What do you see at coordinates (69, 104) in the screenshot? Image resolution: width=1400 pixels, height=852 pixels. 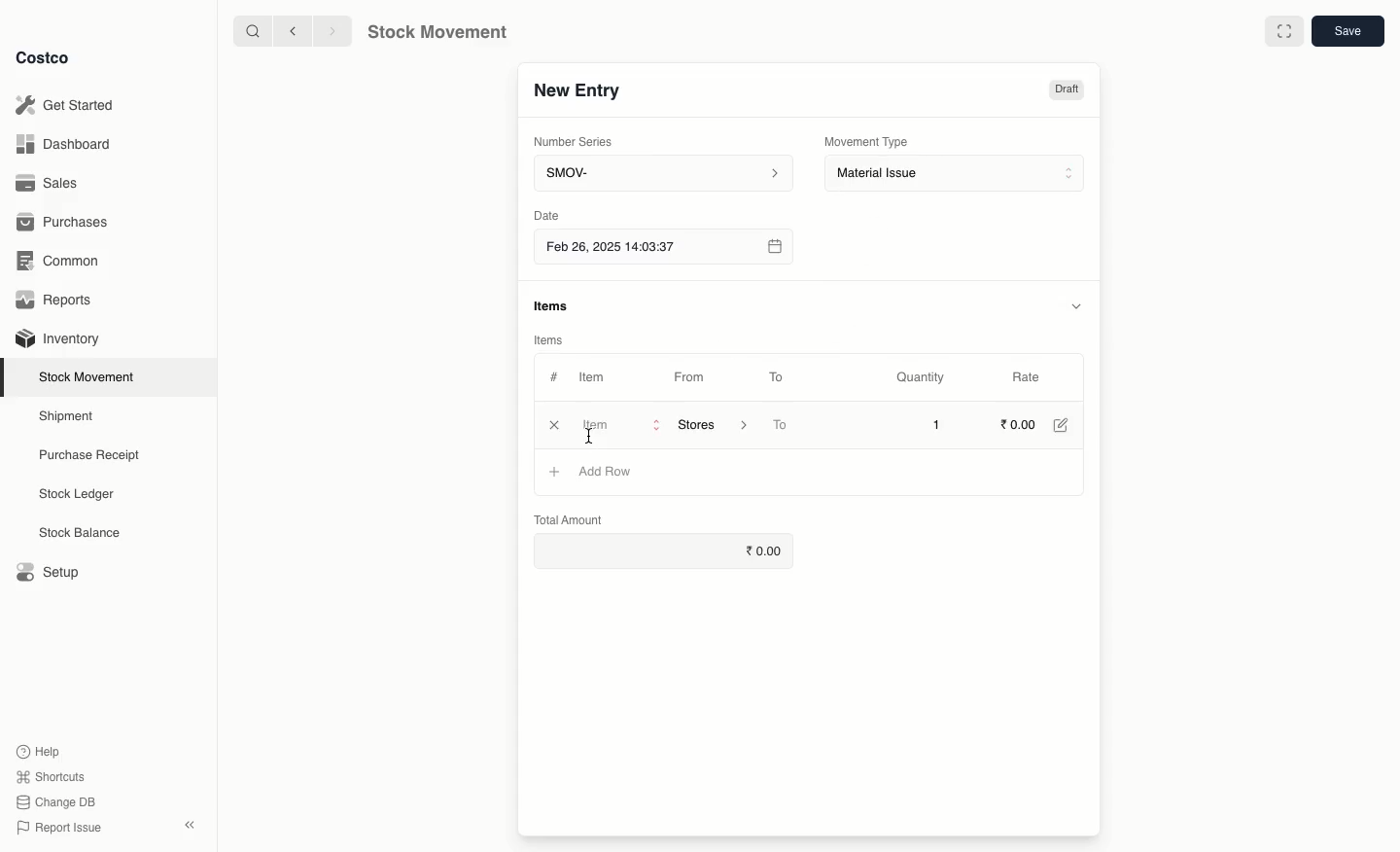 I see `Get Started` at bounding box center [69, 104].